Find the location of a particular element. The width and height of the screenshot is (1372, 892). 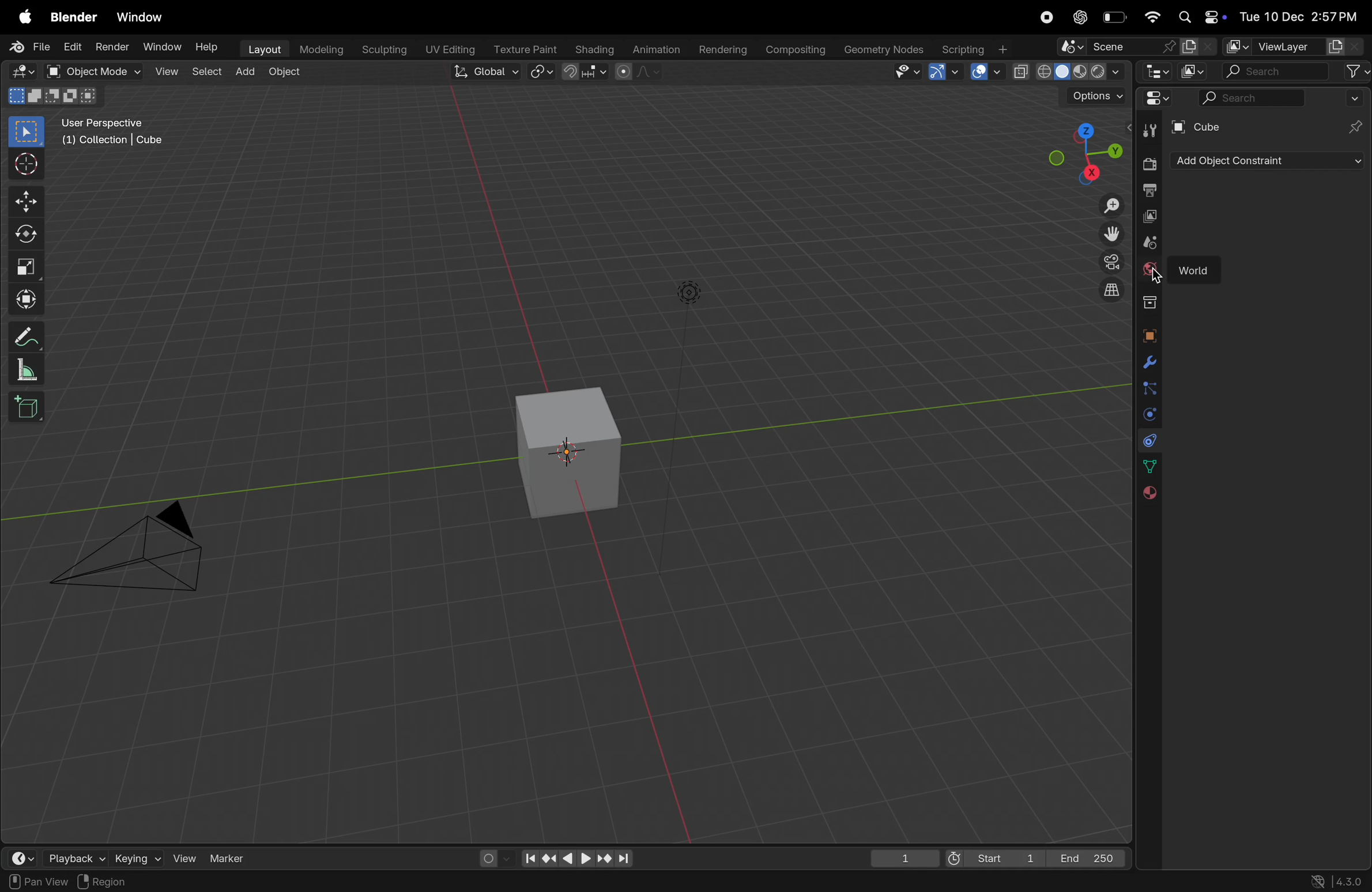

physics constraints is located at coordinates (1148, 415).